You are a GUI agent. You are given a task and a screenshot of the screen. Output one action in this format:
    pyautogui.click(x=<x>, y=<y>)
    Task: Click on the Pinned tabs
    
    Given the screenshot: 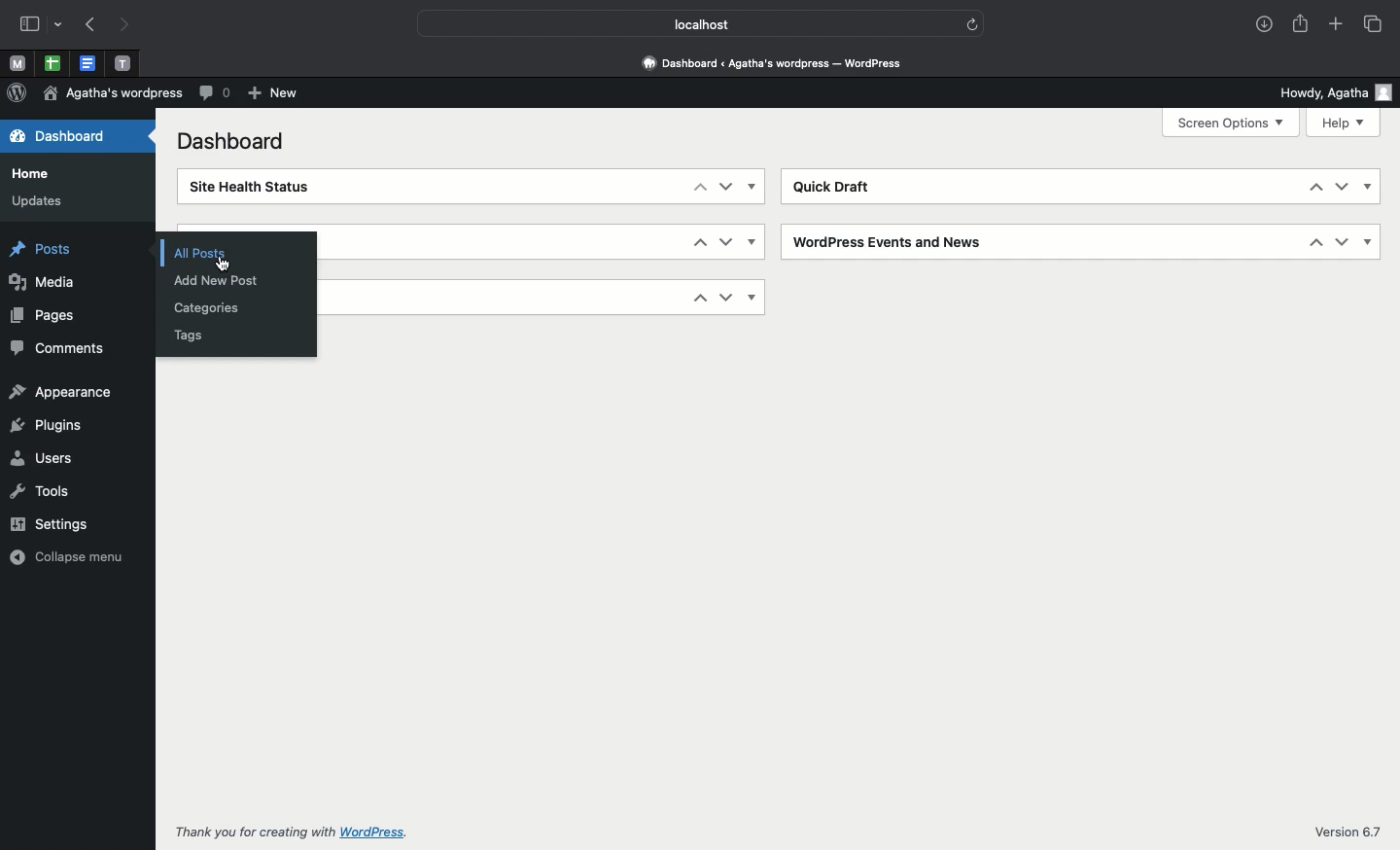 What is the action you would take?
    pyautogui.click(x=88, y=63)
    